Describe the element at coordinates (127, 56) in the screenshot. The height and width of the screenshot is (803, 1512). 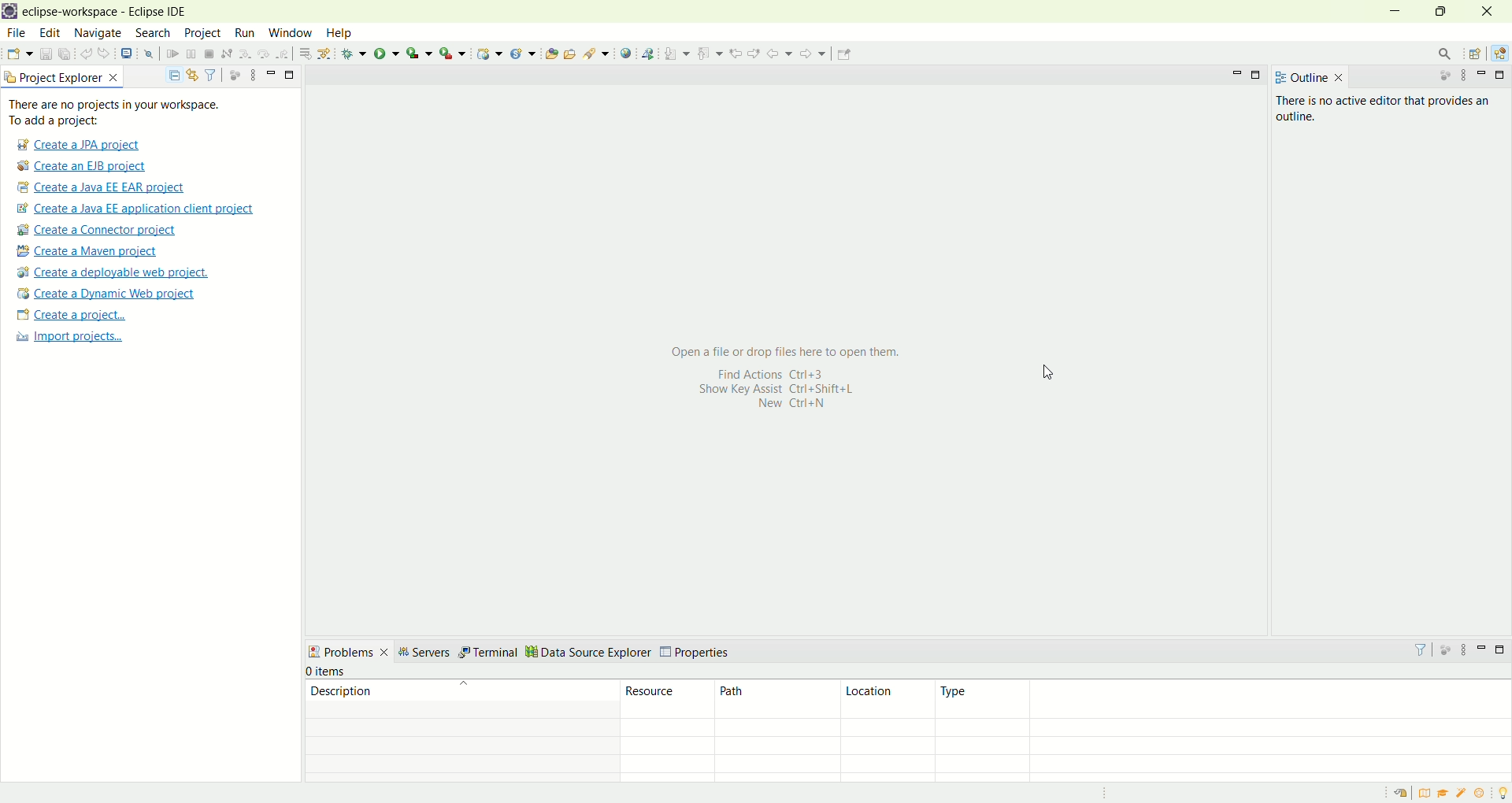
I see `open a terminal` at that location.